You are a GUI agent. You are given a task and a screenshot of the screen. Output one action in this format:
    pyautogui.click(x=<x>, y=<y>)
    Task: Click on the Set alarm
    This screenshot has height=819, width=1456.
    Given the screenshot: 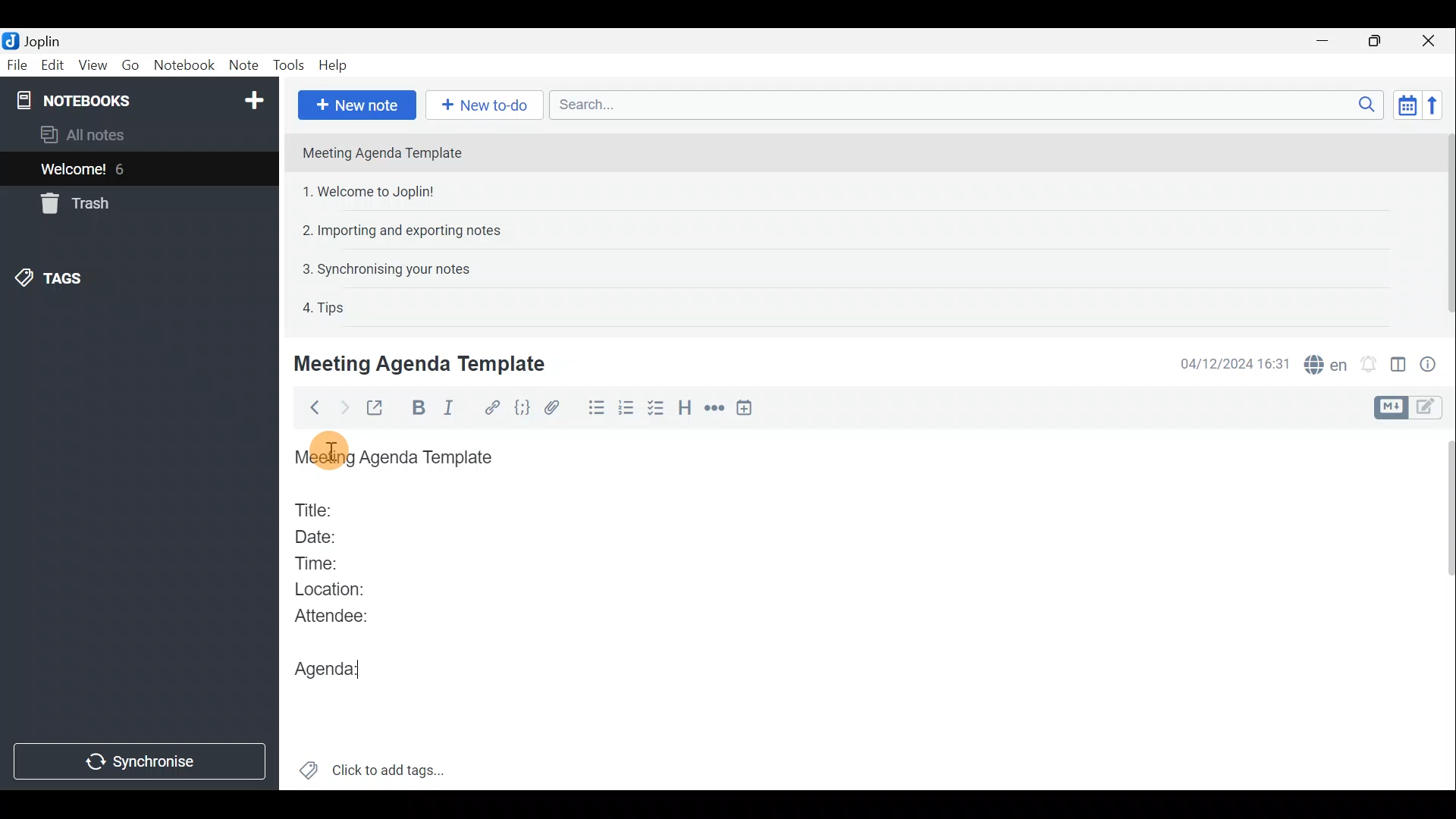 What is the action you would take?
    pyautogui.click(x=1370, y=364)
    